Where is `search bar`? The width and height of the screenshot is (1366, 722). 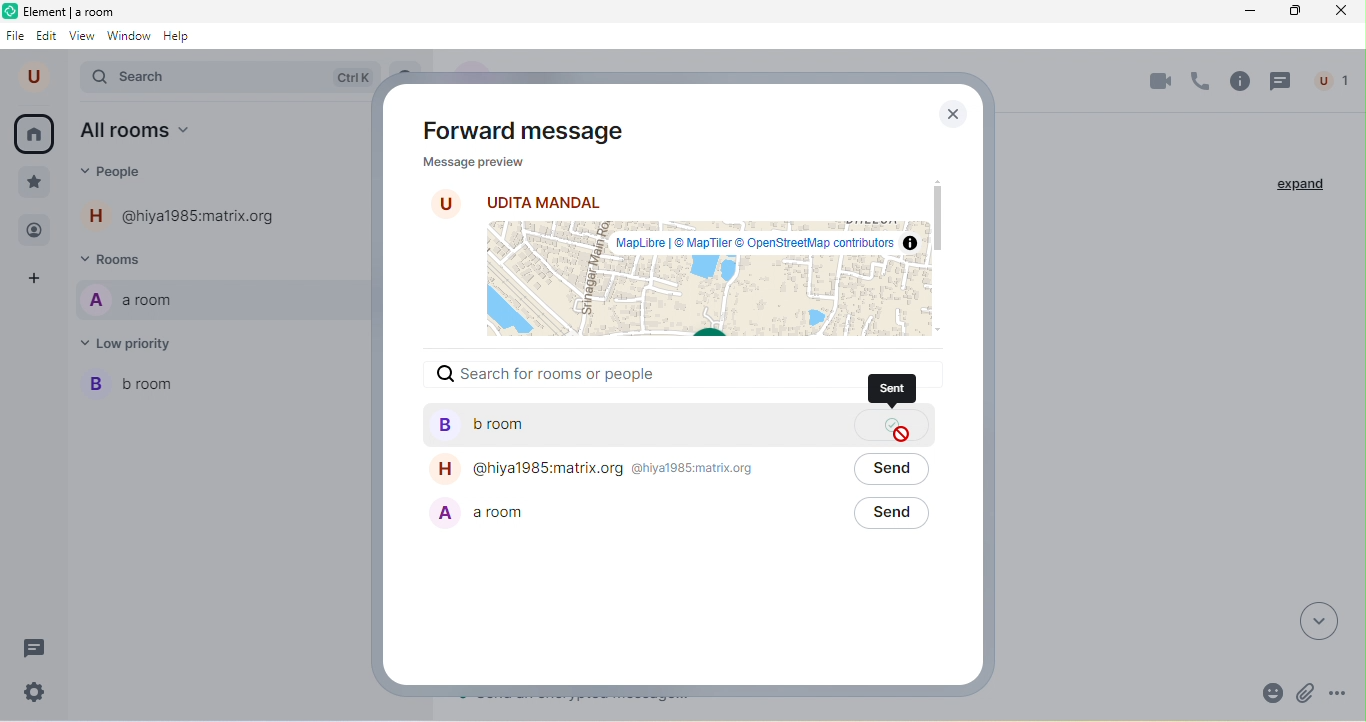 search bar is located at coordinates (232, 77).